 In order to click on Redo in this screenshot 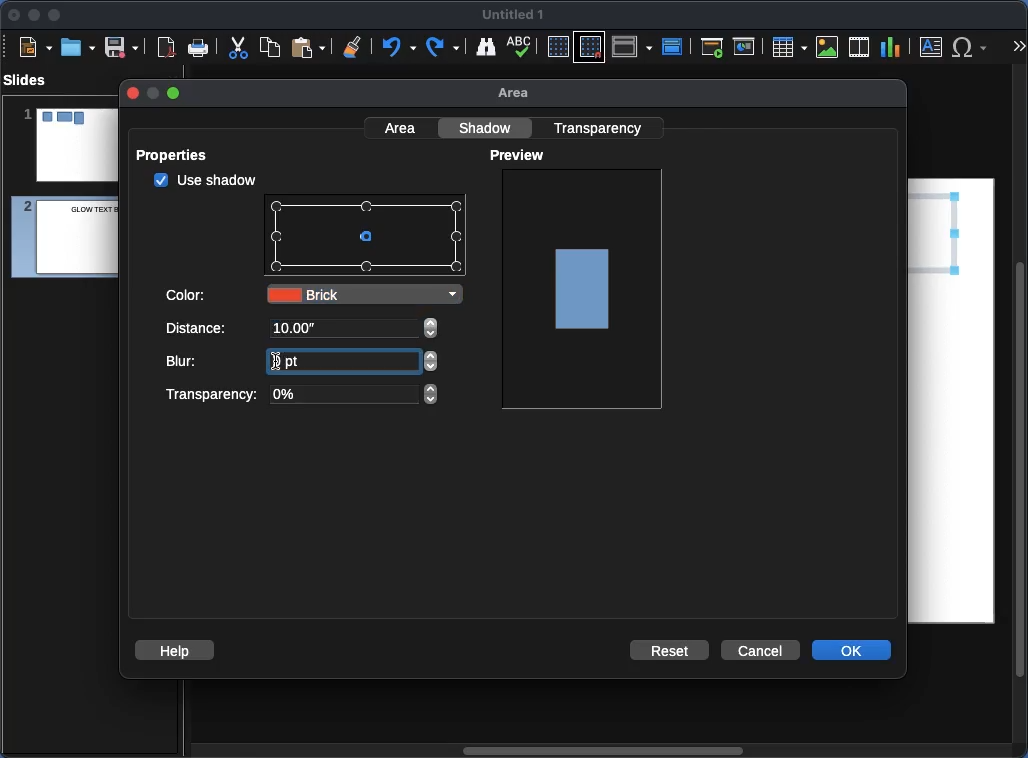, I will do `click(444, 47)`.